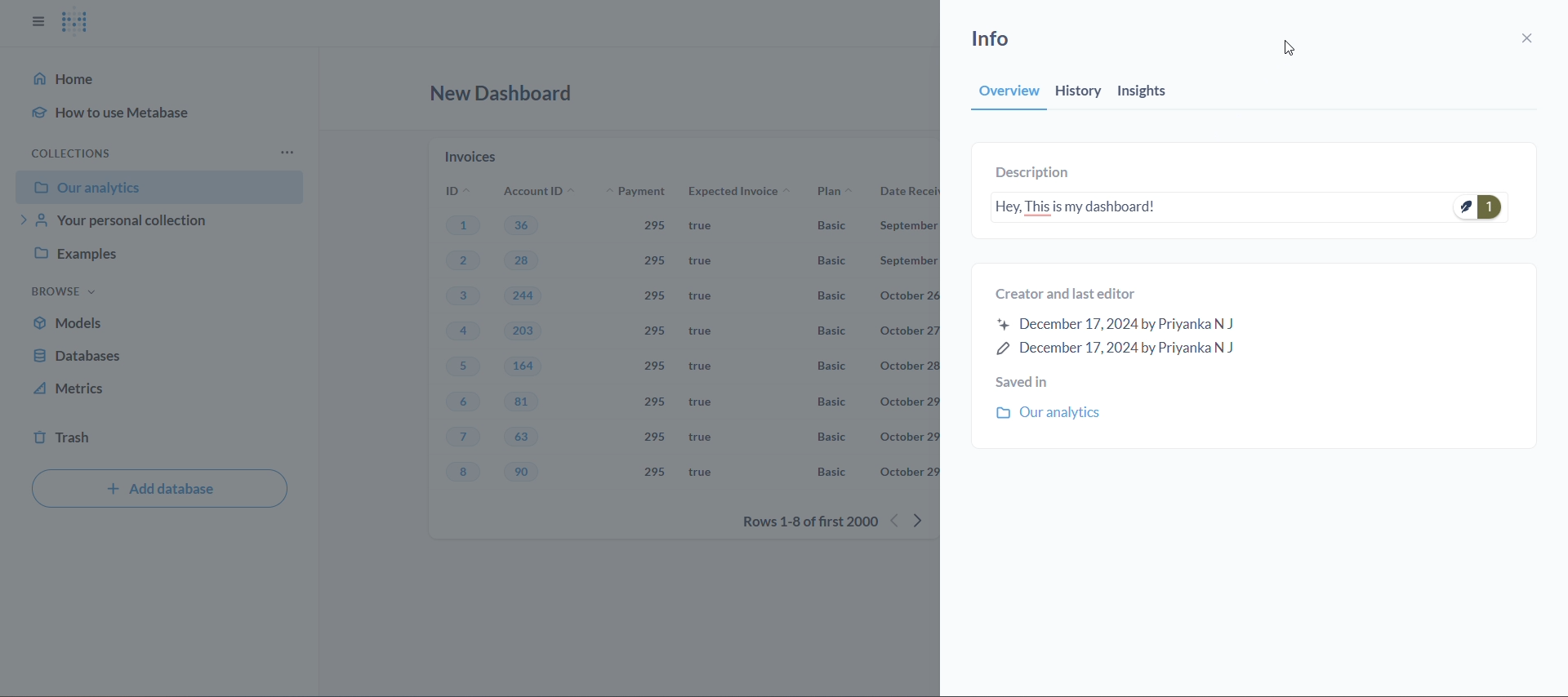 The width and height of the screenshot is (1568, 697). I want to click on 81, so click(523, 402).